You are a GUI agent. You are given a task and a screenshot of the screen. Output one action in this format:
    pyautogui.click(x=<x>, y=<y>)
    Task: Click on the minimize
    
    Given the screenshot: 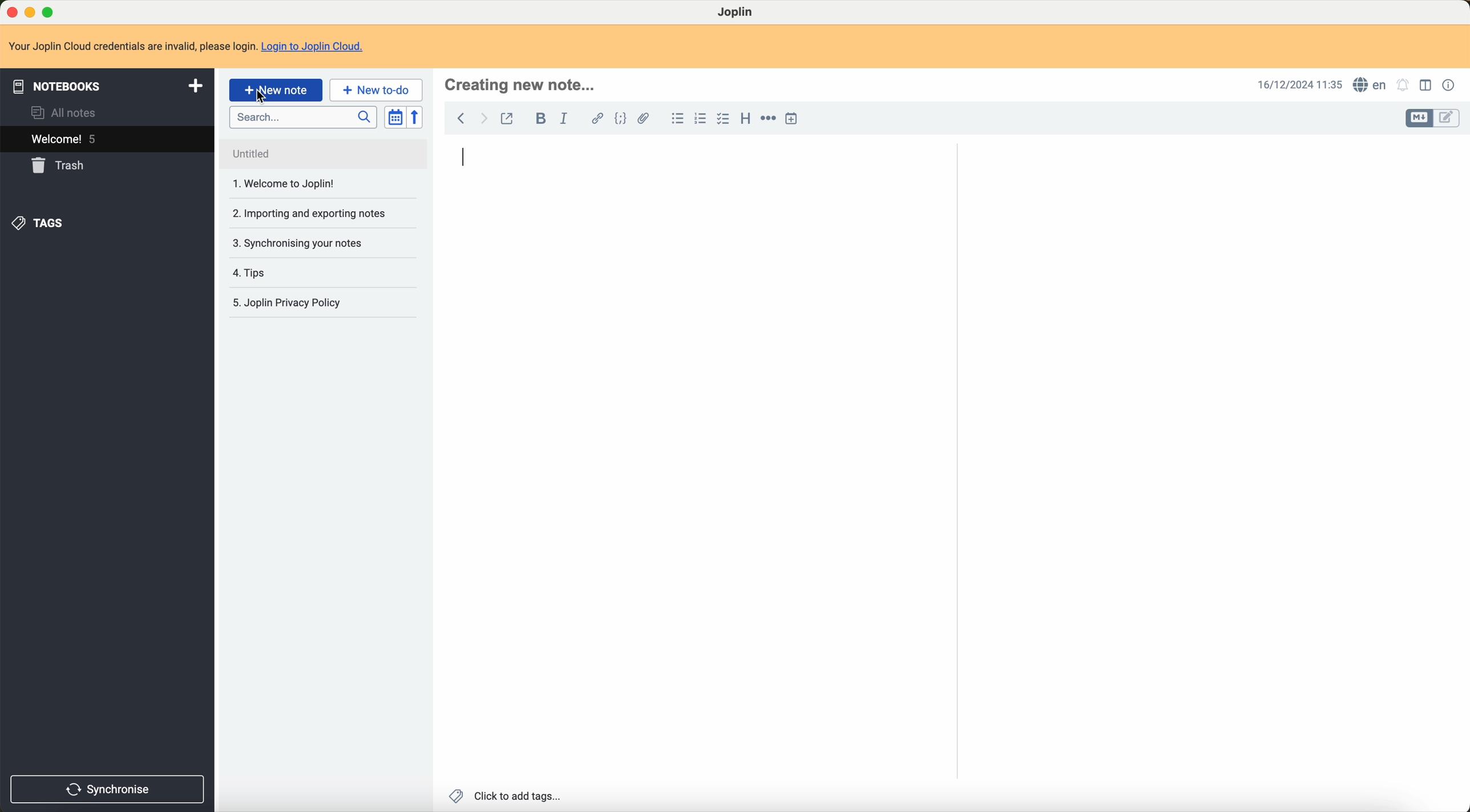 What is the action you would take?
    pyautogui.click(x=30, y=12)
    